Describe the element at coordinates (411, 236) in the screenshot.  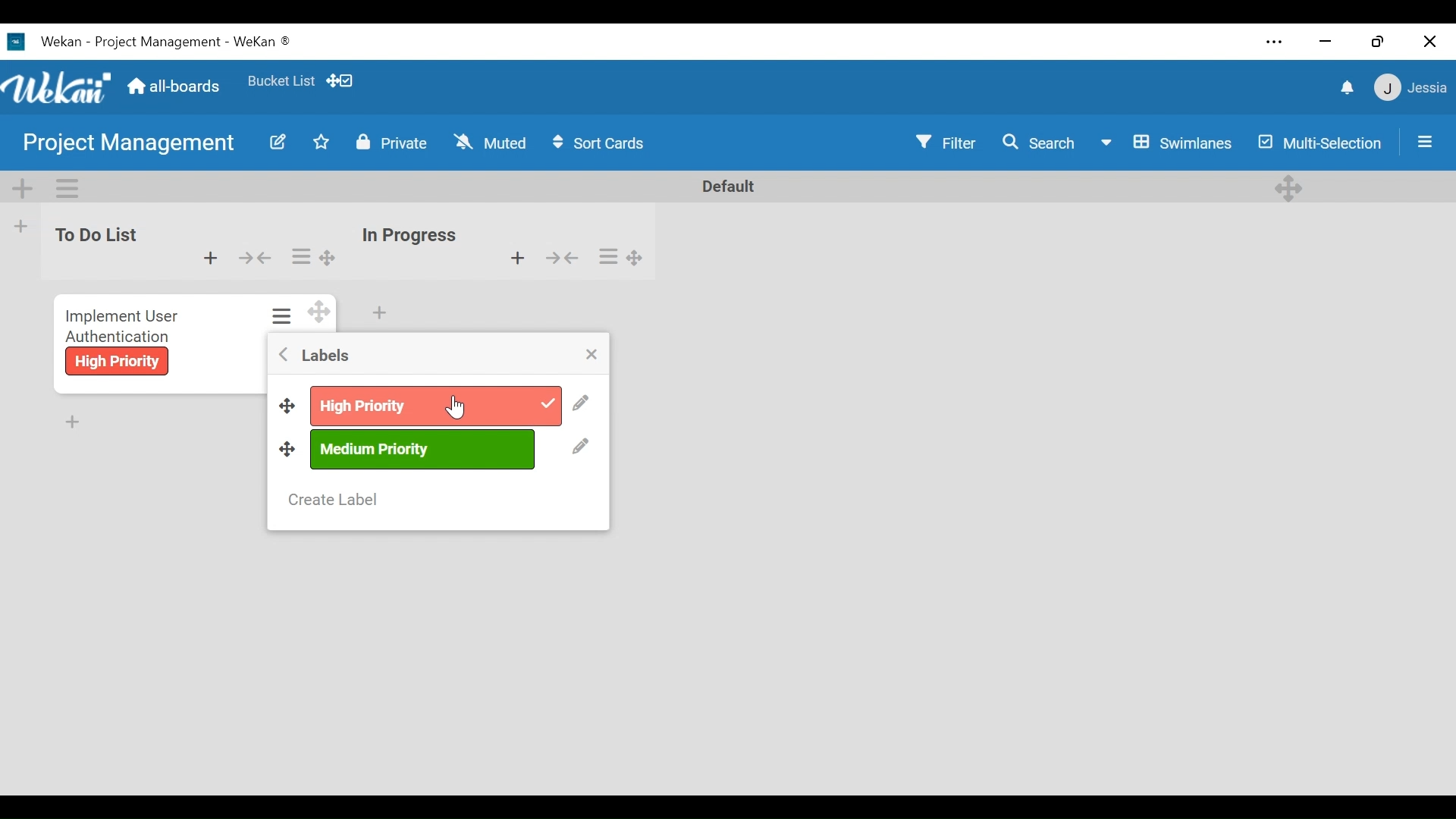
I see `In Progress` at that location.